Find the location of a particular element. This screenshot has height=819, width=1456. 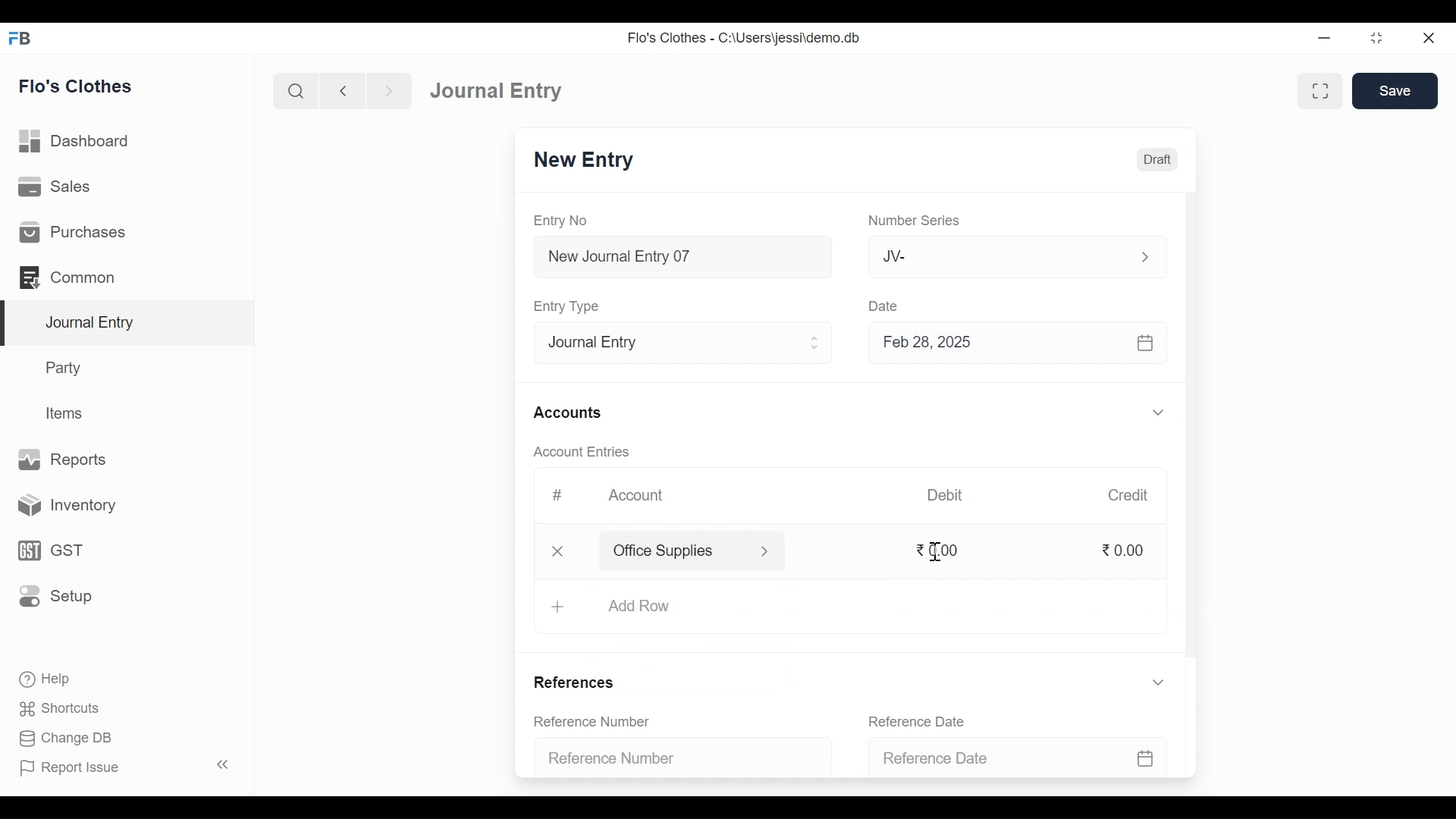

Expand is located at coordinates (1144, 257).